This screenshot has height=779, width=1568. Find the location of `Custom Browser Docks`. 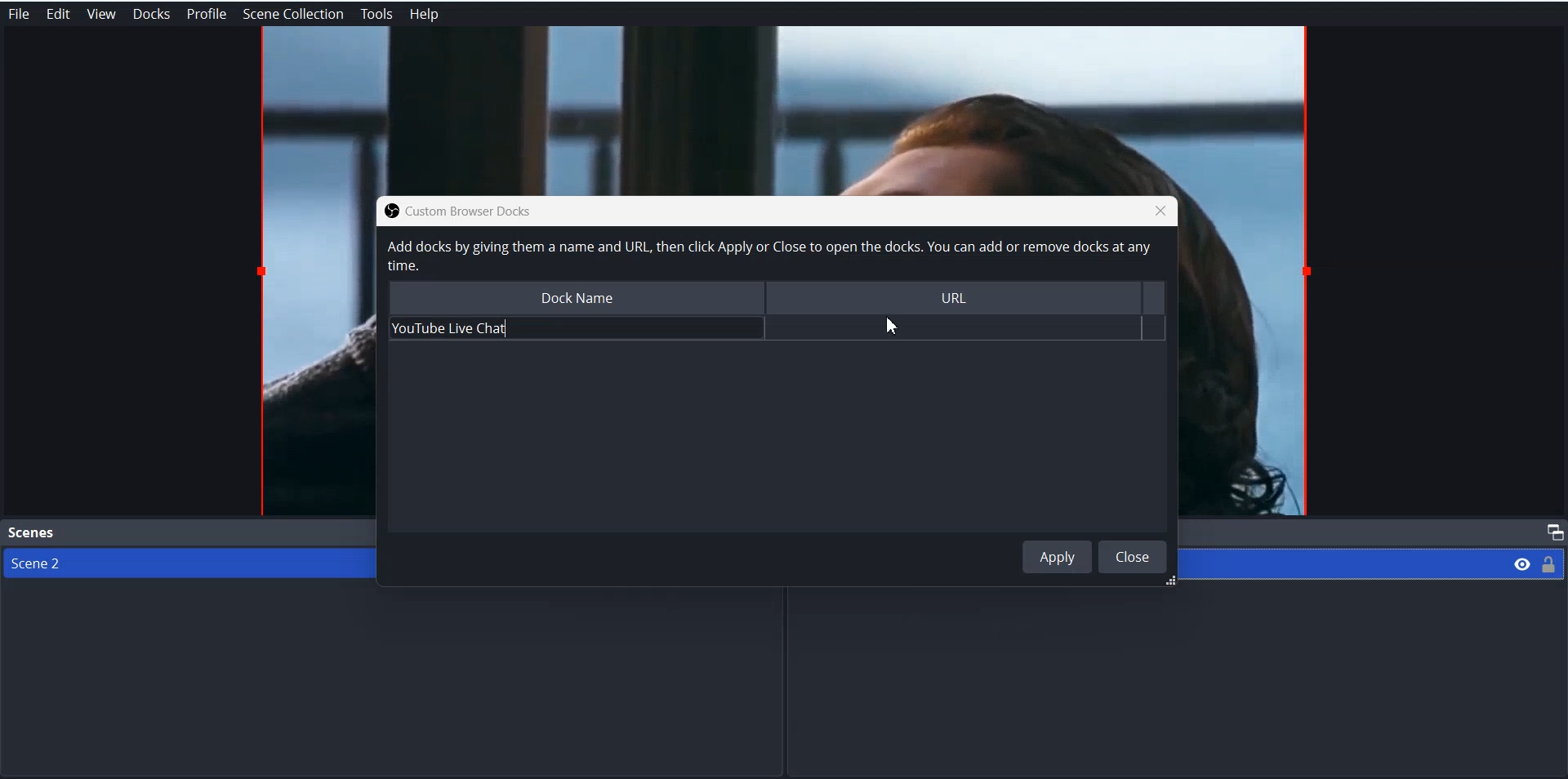

Custom Browser Docks is located at coordinates (484, 210).